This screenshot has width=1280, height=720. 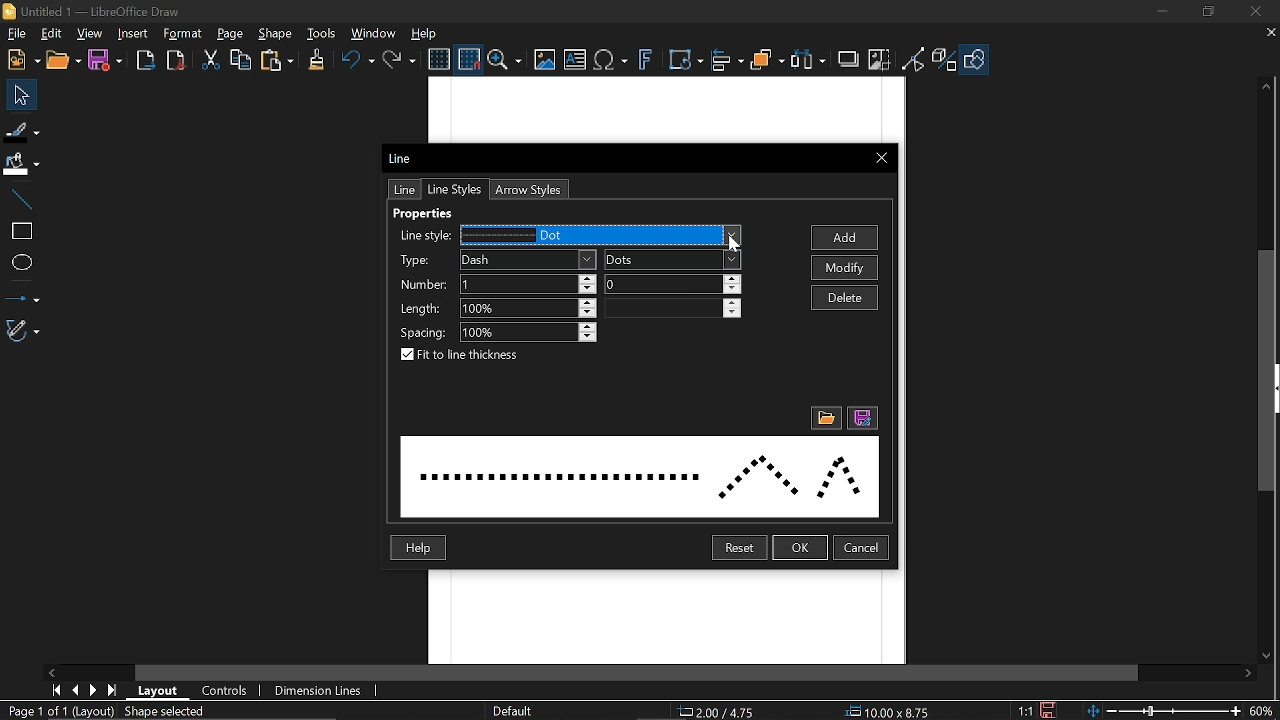 What do you see at coordinates (879, 59) in the screenshot?
I see `Crop` at bounding box center [879, 59].